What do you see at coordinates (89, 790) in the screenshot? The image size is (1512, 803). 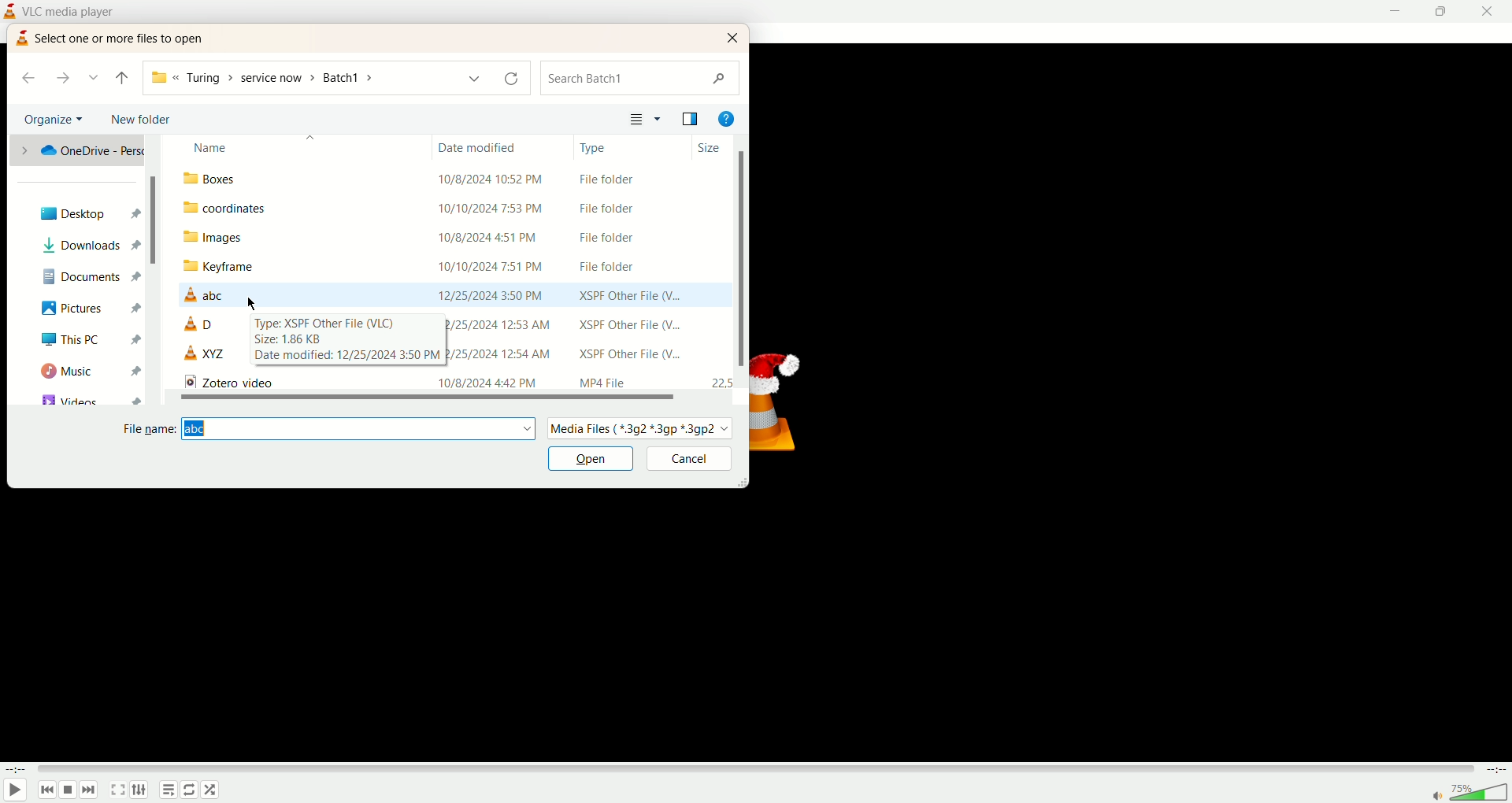 I see `next` at bounding box center [89, 790].